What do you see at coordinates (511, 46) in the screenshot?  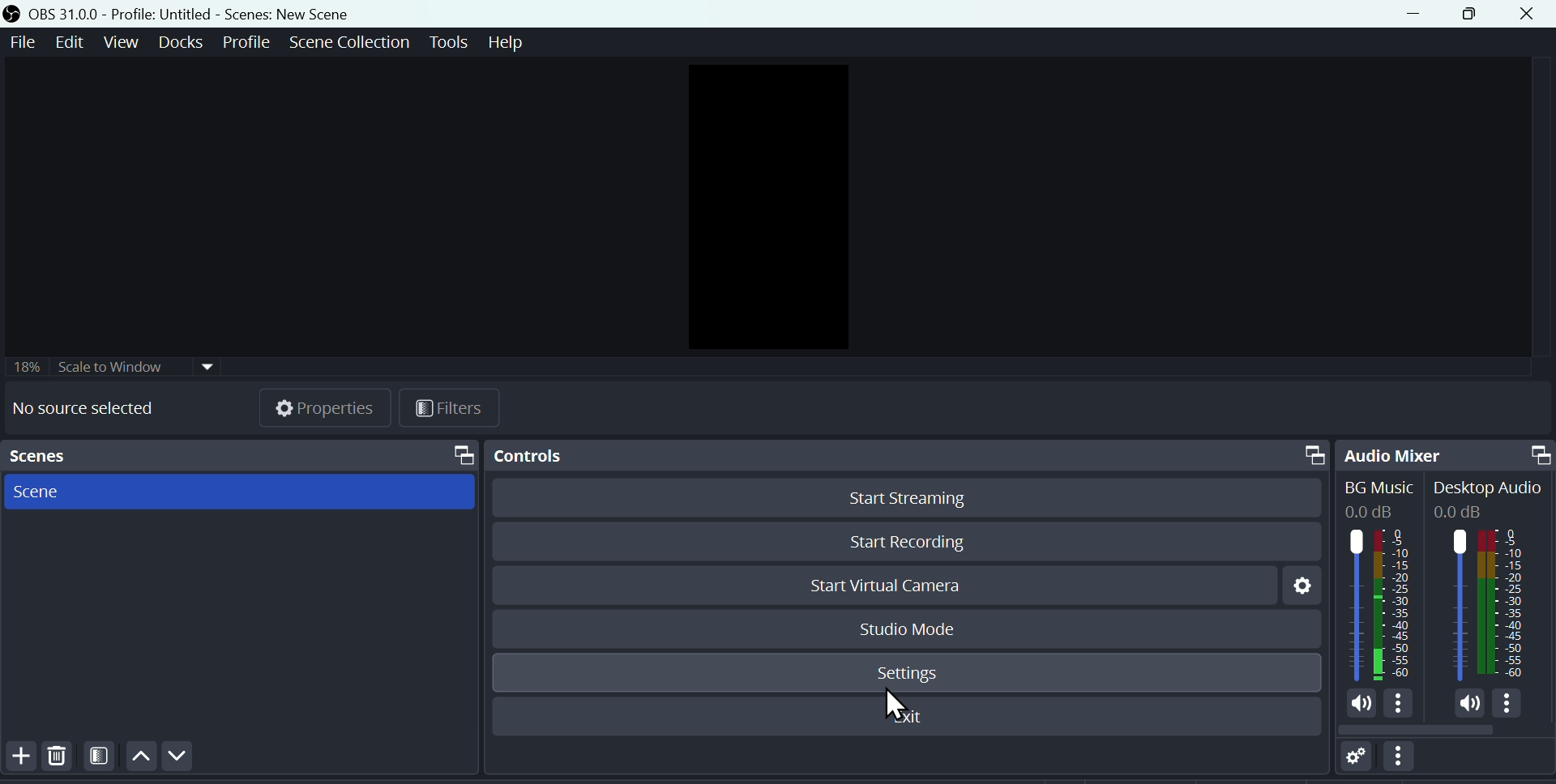 I see `help` at bounding box center [511, 46].